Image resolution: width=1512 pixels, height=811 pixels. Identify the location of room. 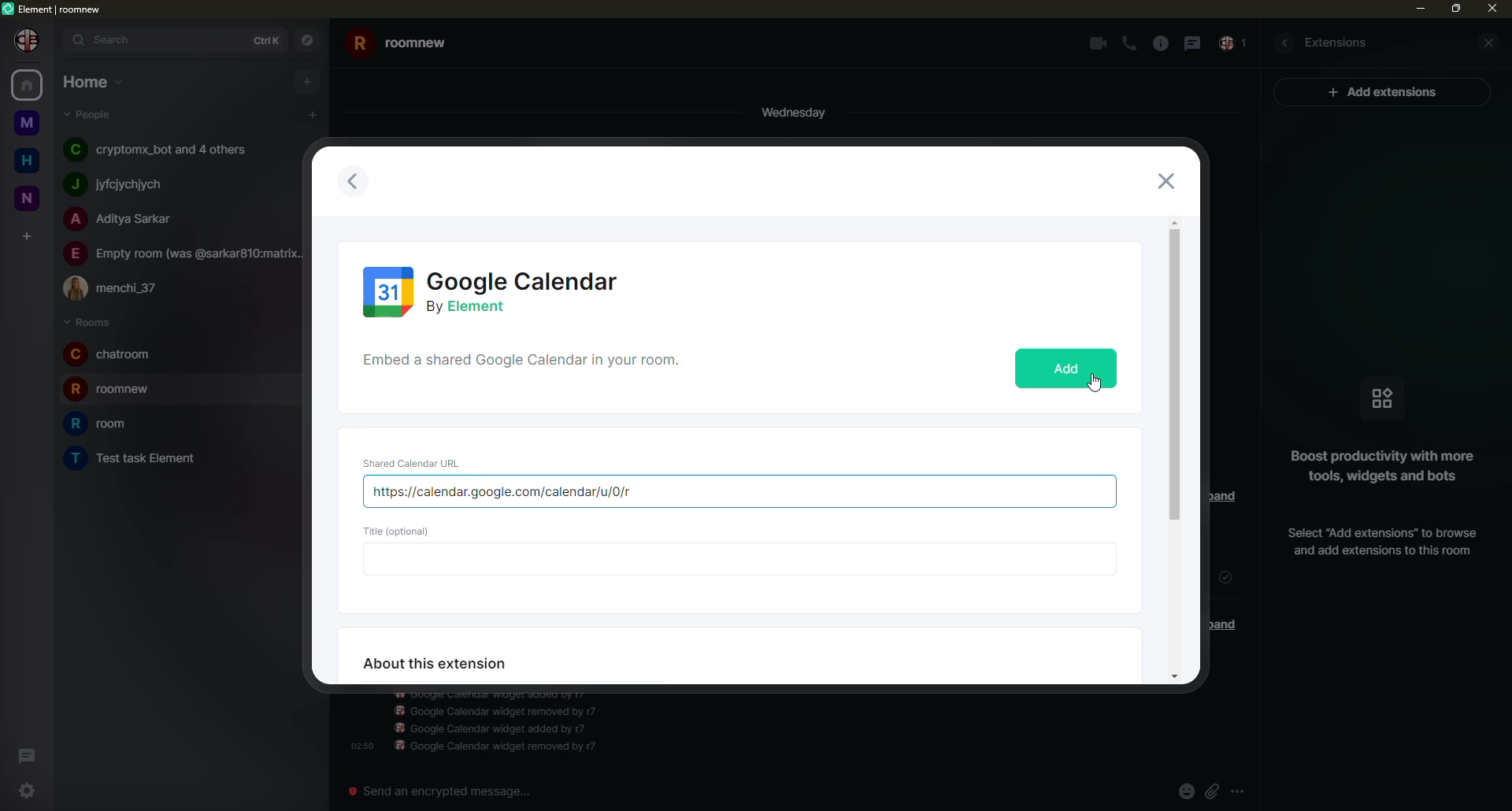
(30, 198).